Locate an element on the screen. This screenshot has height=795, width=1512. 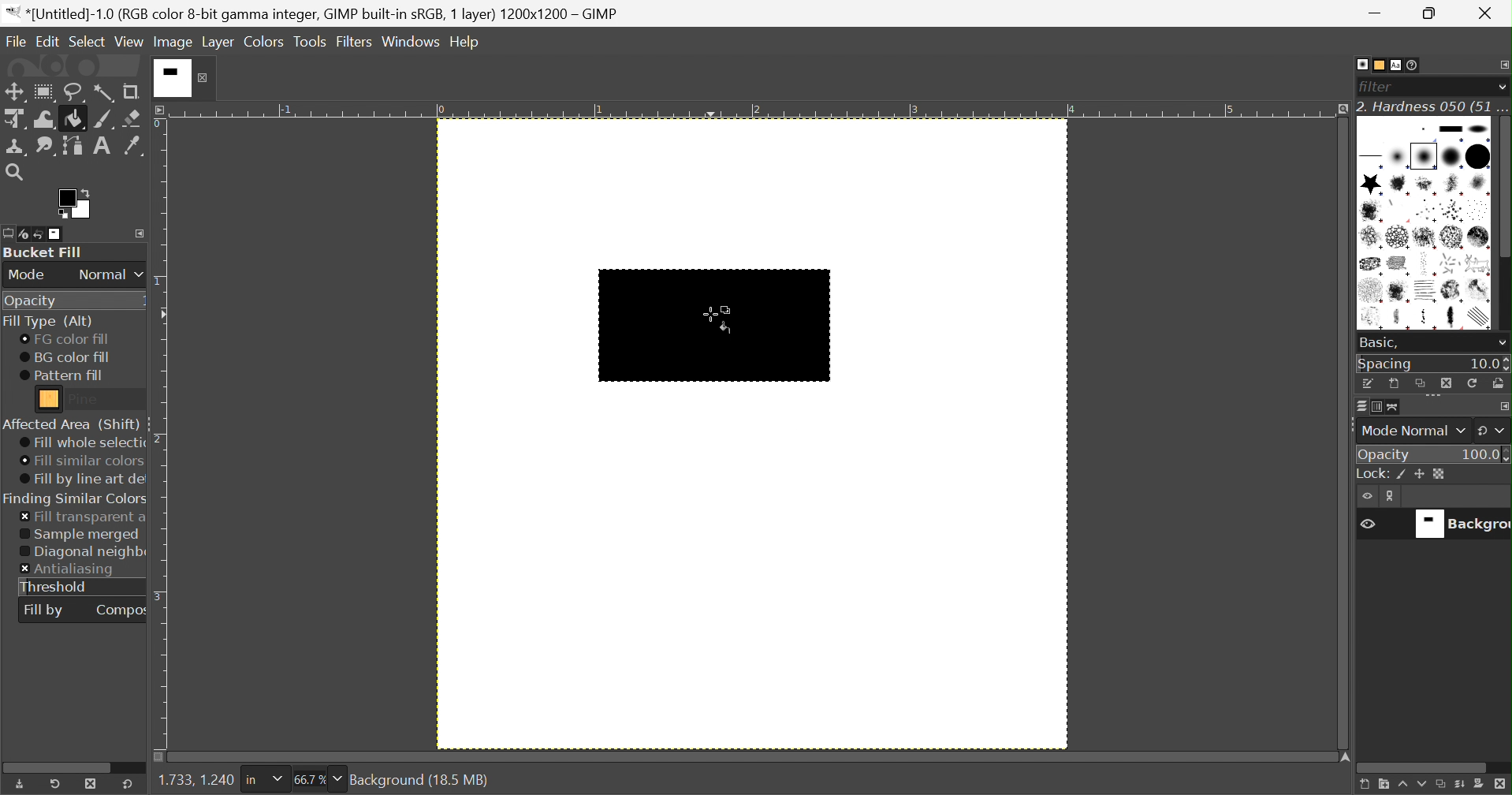
Tools is located at coordinates (311, 42).